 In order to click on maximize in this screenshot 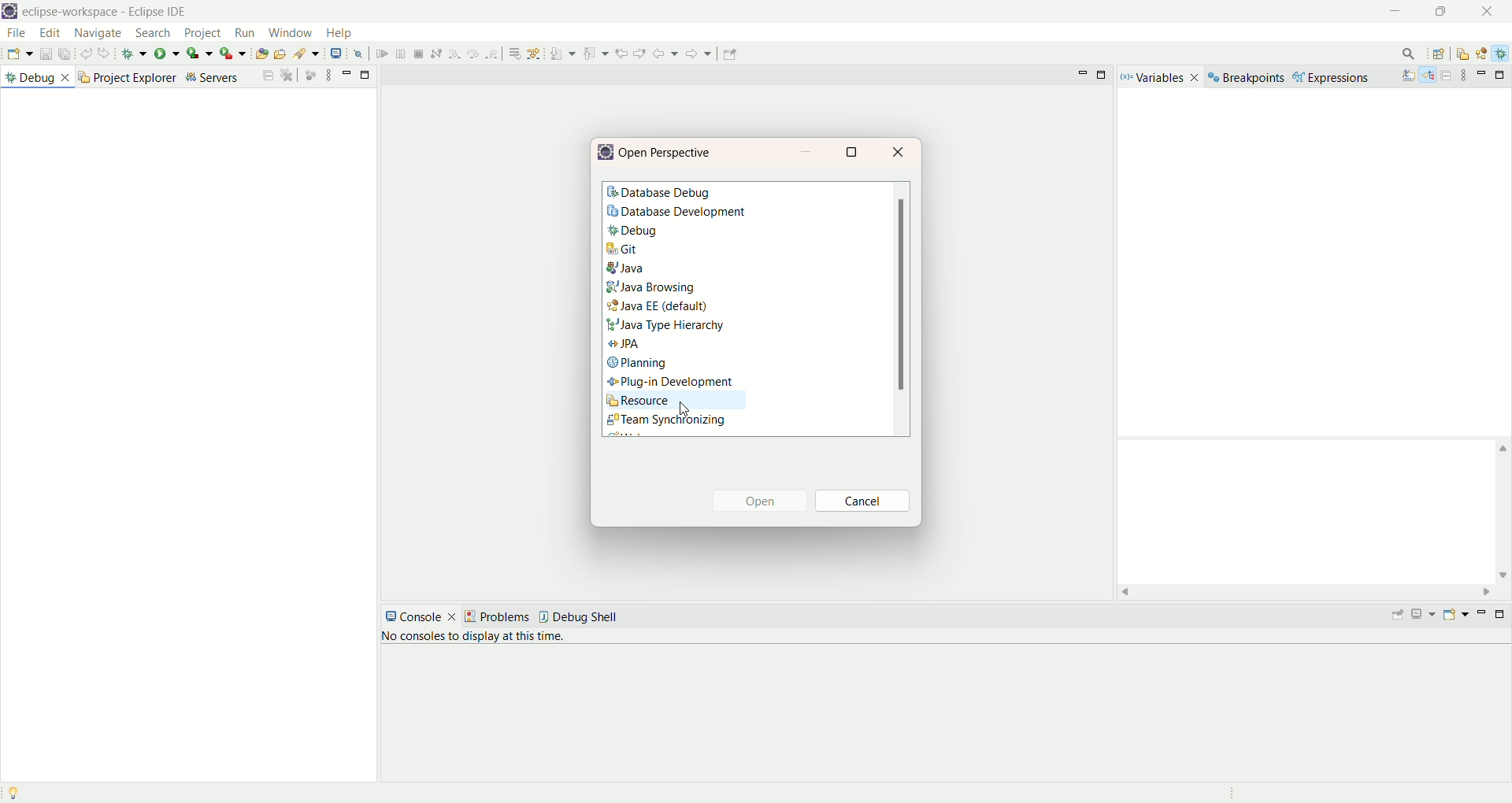, I will do `click(1442, 13)`.